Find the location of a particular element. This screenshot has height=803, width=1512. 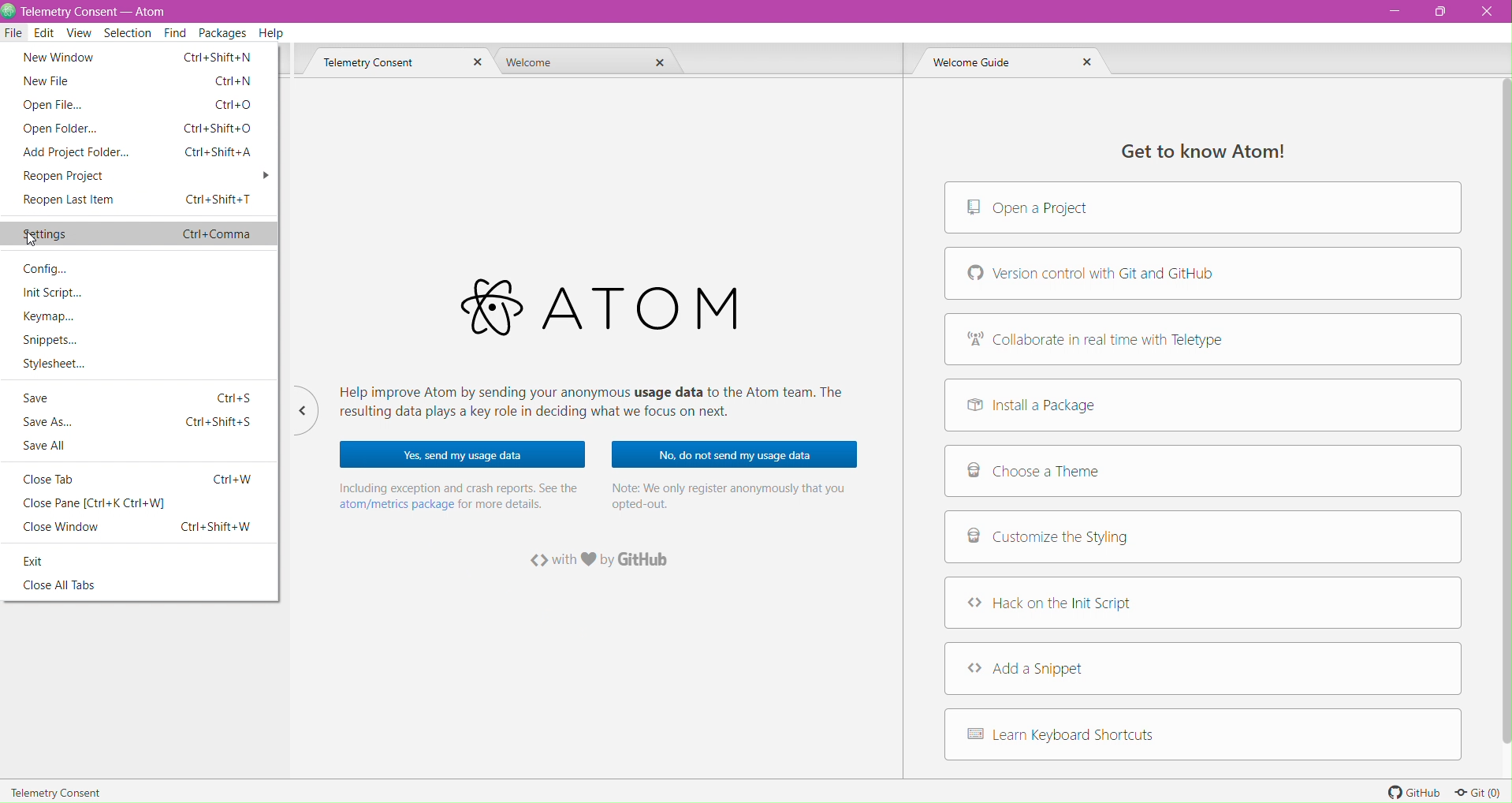

Edit is located at coordinates (43, 34).